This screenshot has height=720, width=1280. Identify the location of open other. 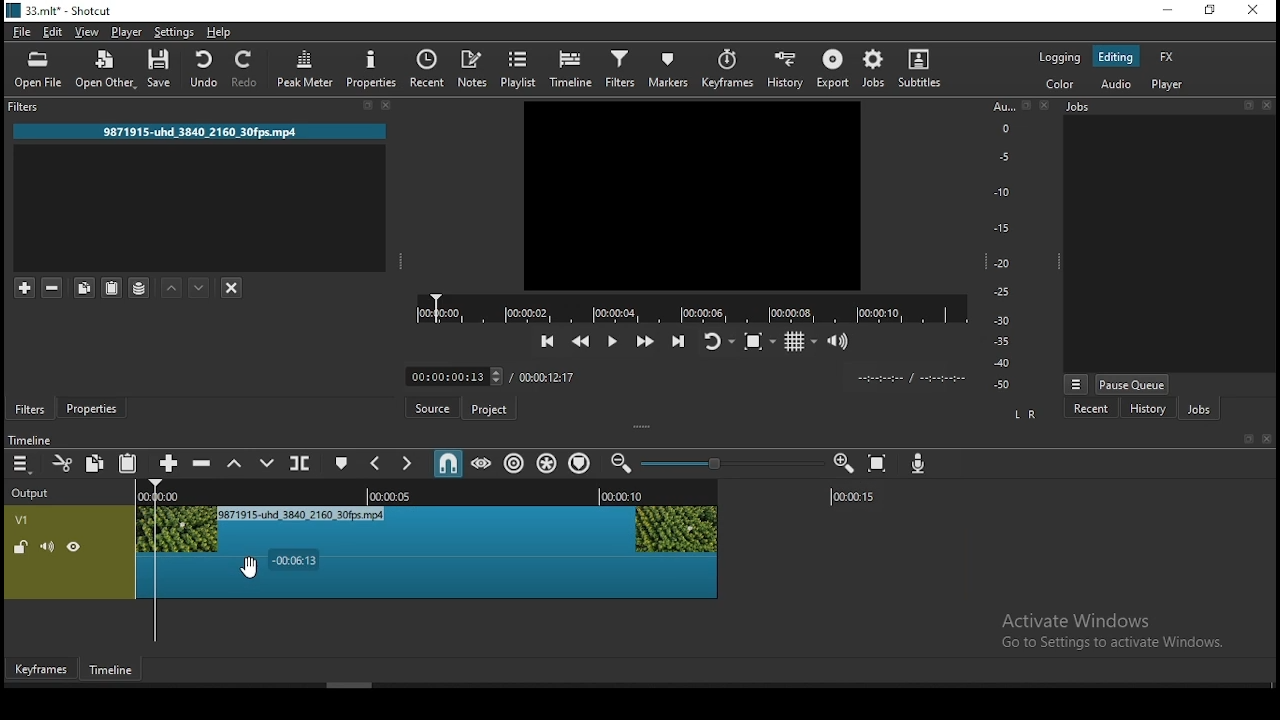
(109, 70).